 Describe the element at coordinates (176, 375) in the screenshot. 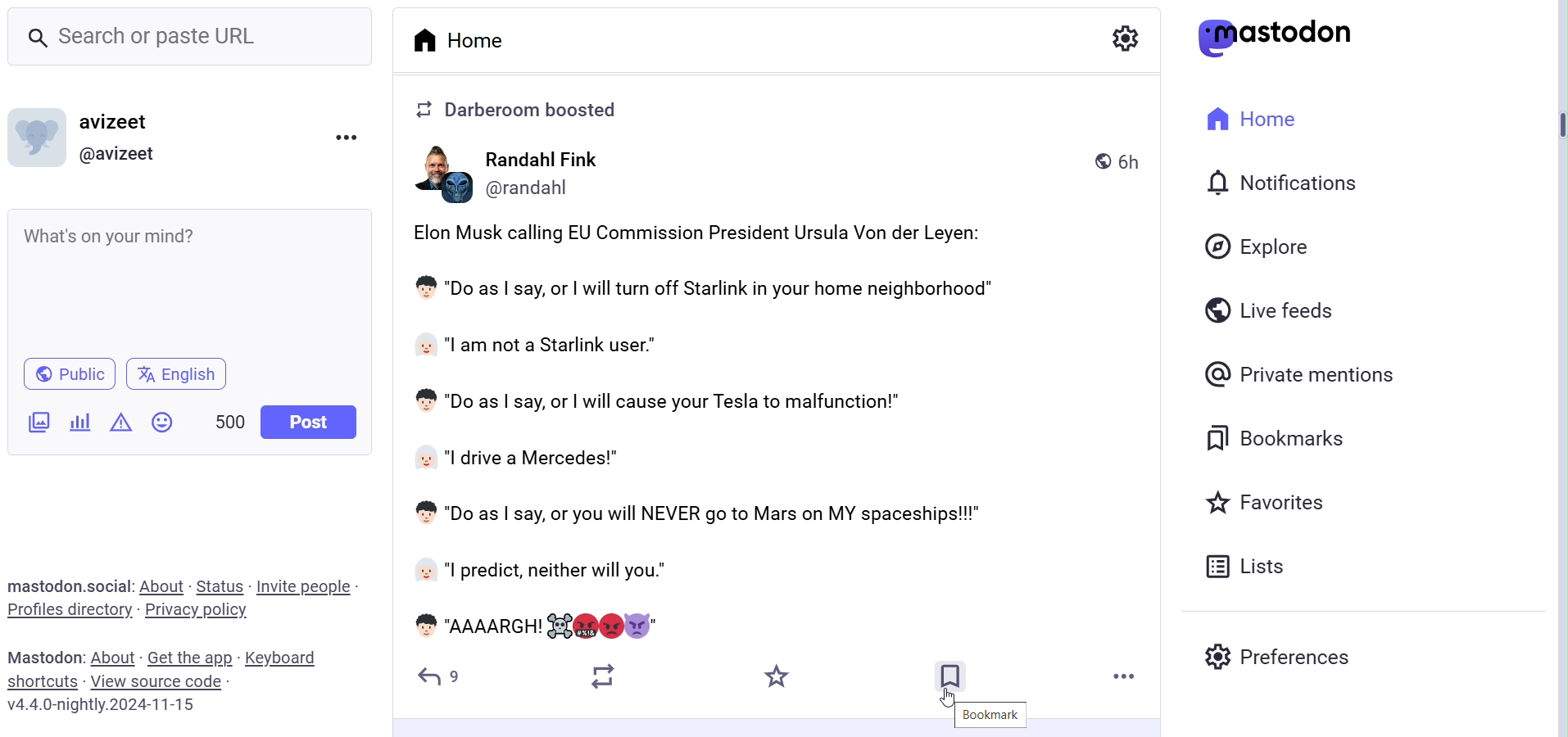

I see `Change Language` at that location.